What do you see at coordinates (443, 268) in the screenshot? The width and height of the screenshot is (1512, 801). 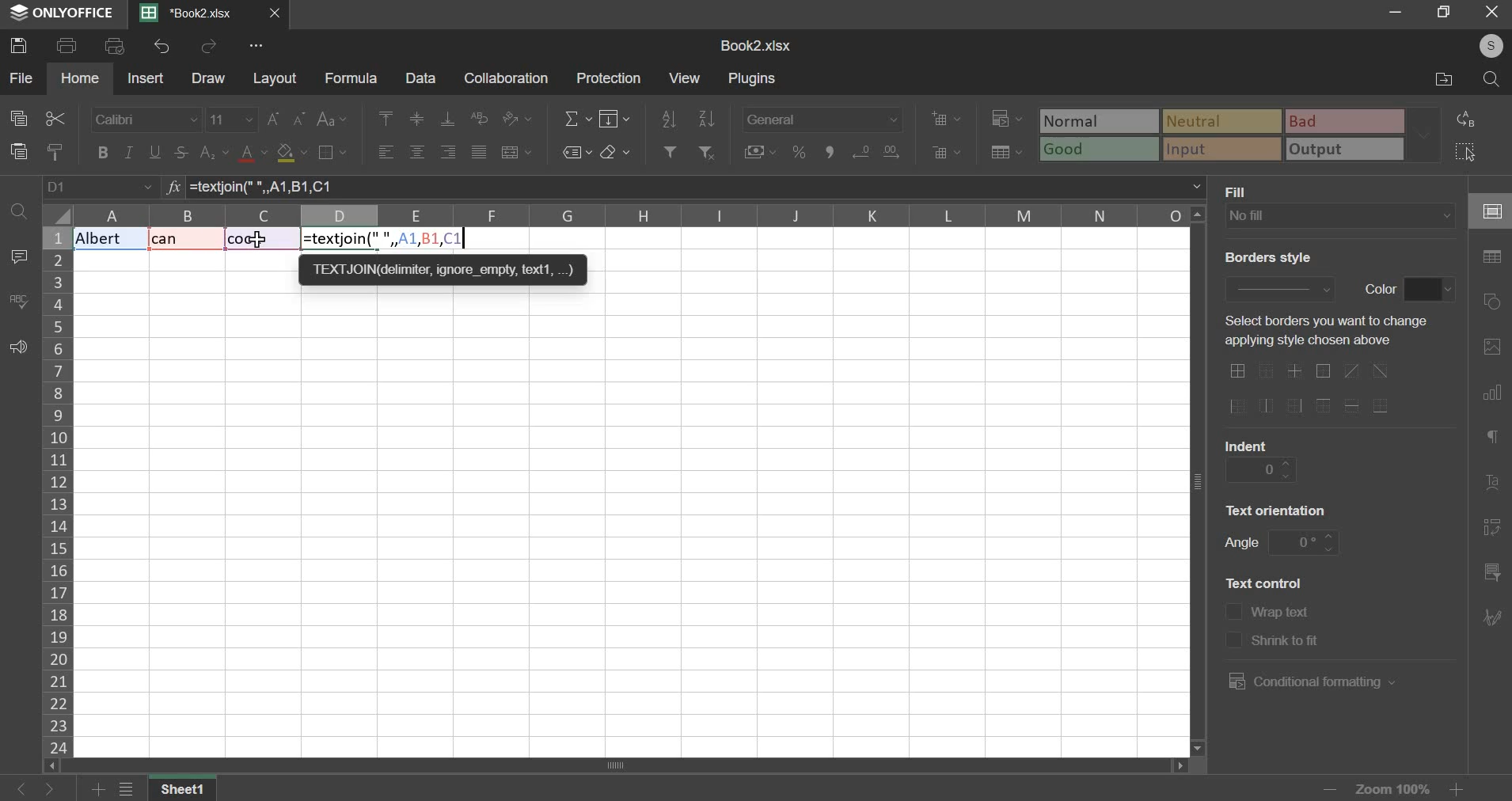 I see `TEXTJON deter, ignore empty text,` at bounding box center [443, 268].